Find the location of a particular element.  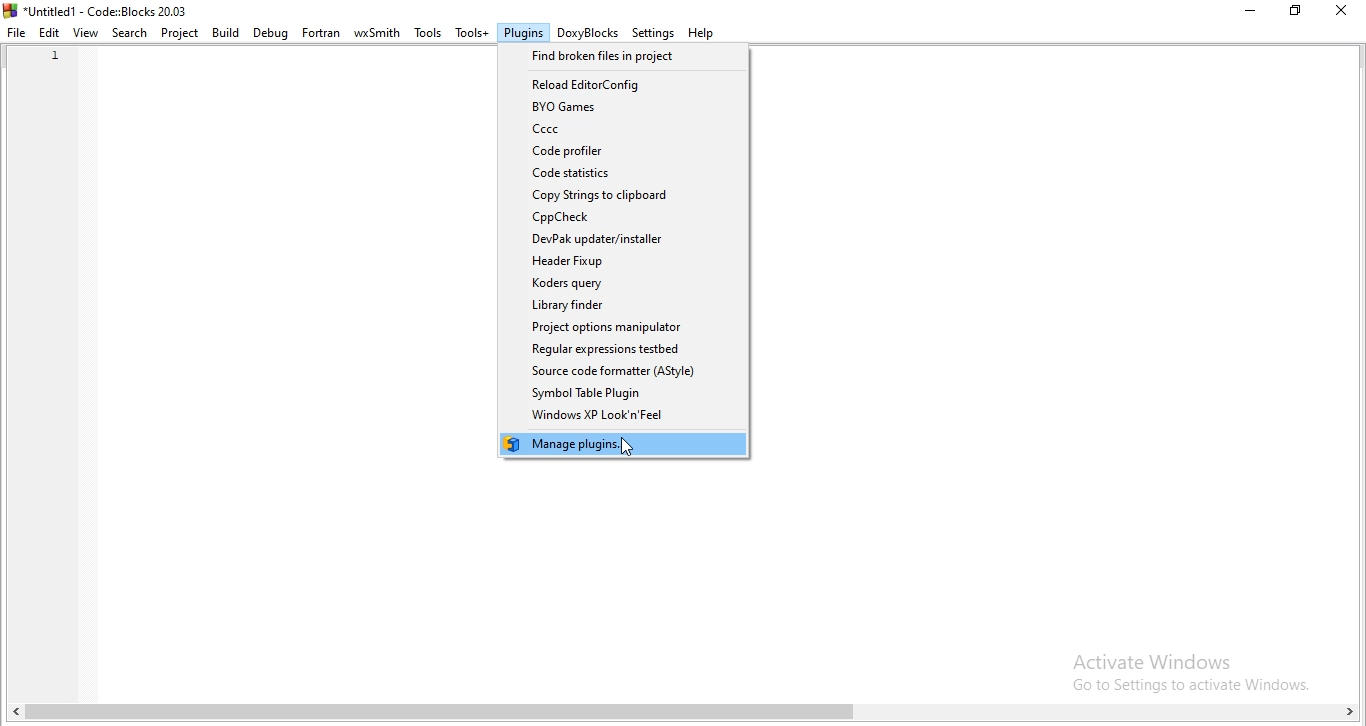

Header Fixup is located at coordinates (623, 262).